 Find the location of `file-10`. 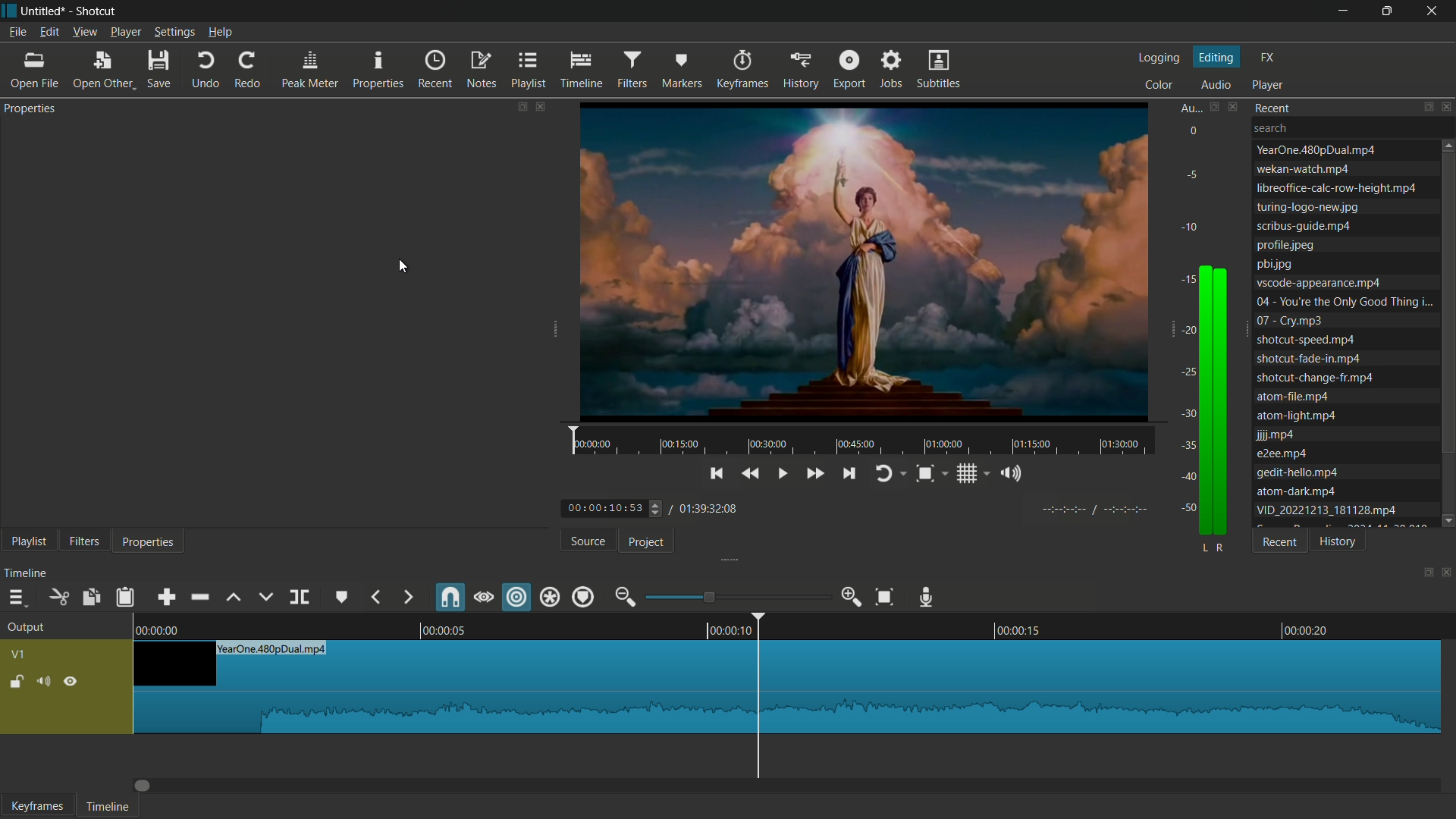

file-10 is located at coordinates (1293, 321).